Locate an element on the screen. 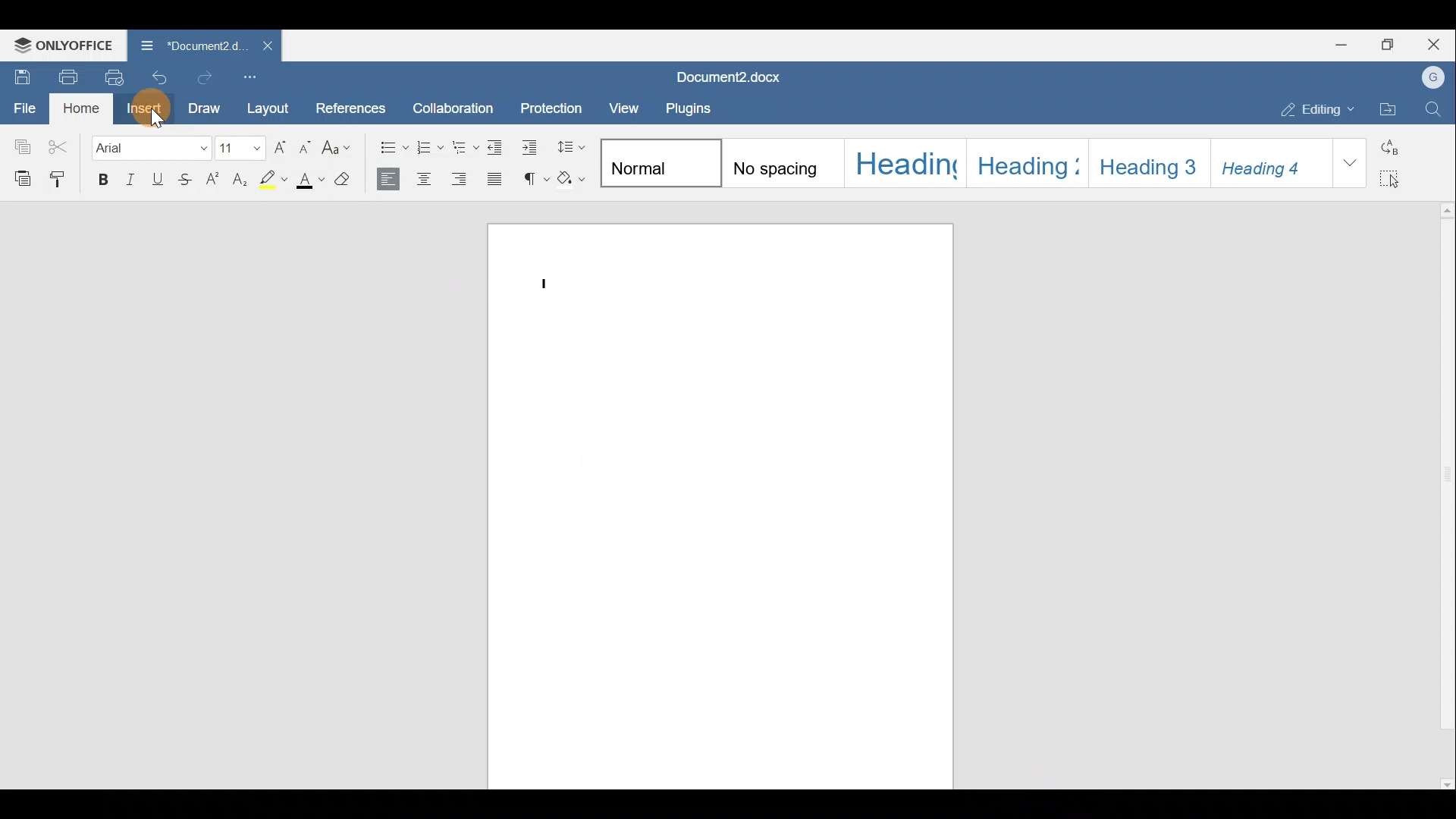 The image size is (1456, 819). Numbering is located at coordinates (432, 147).